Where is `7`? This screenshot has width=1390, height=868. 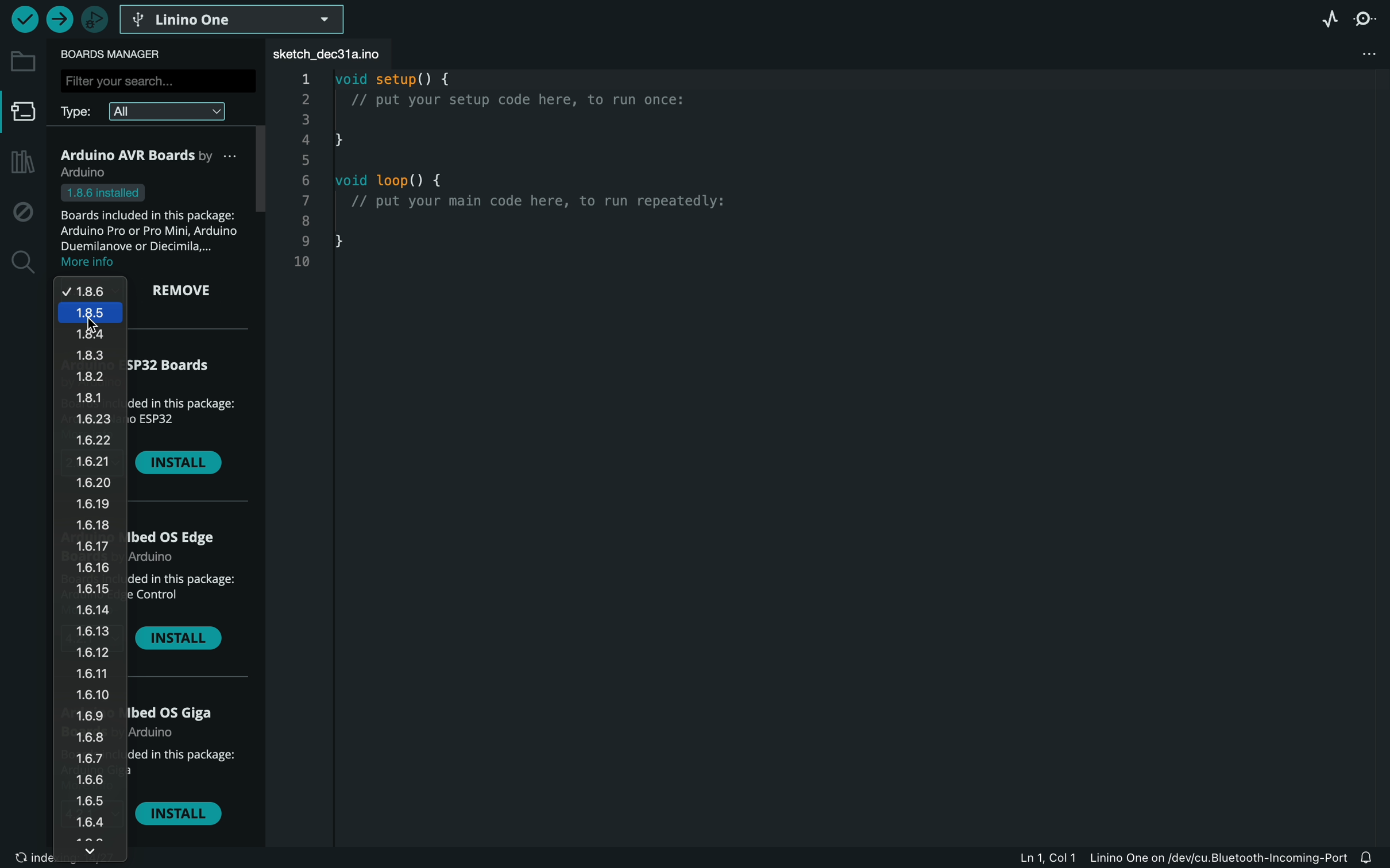 7 is located at coordinates (303, 201).